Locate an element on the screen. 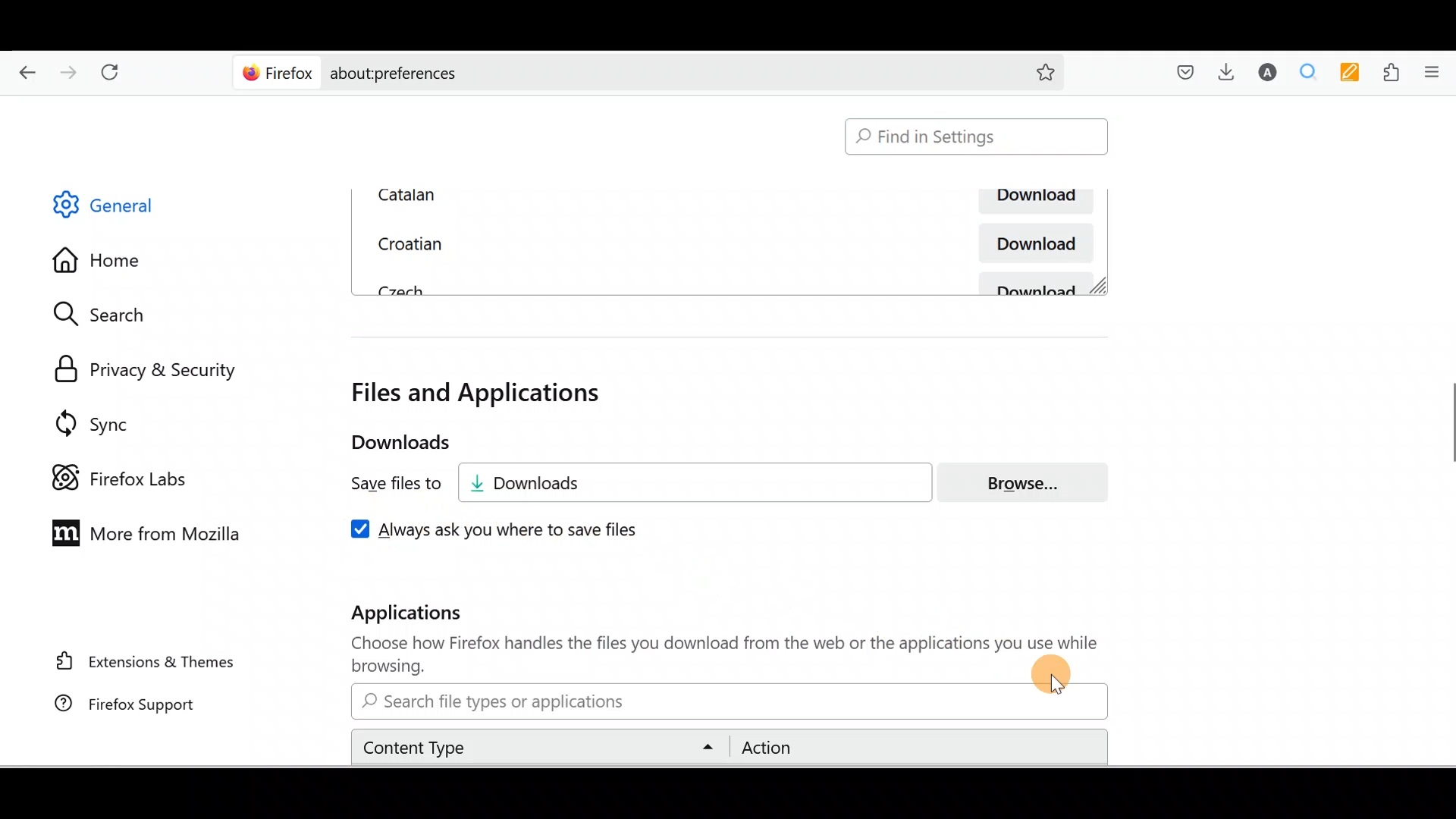  General settings is located at coordinates (117, 209).